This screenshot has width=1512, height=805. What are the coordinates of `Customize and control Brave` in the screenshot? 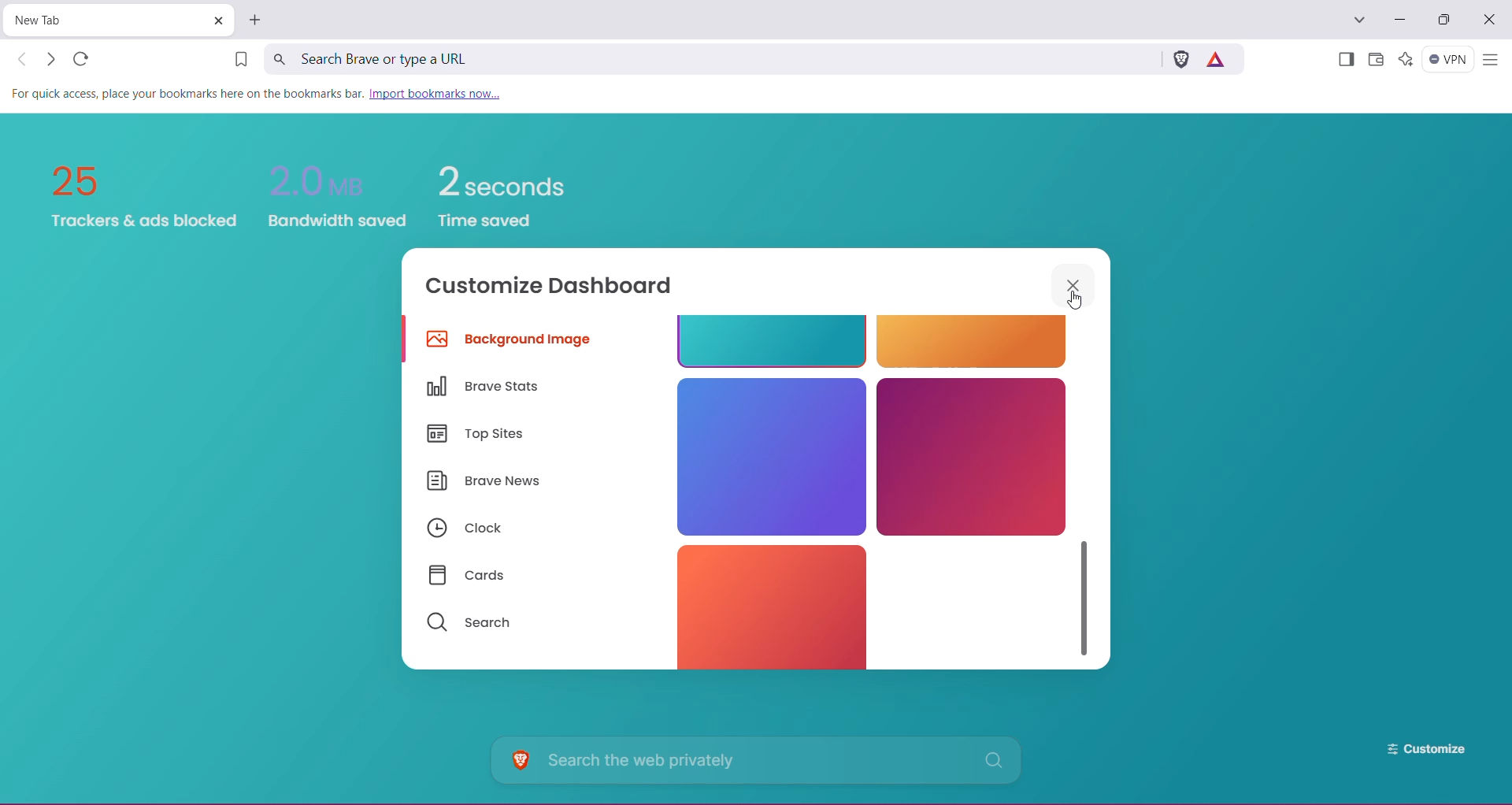 It's located at (1490, 61).